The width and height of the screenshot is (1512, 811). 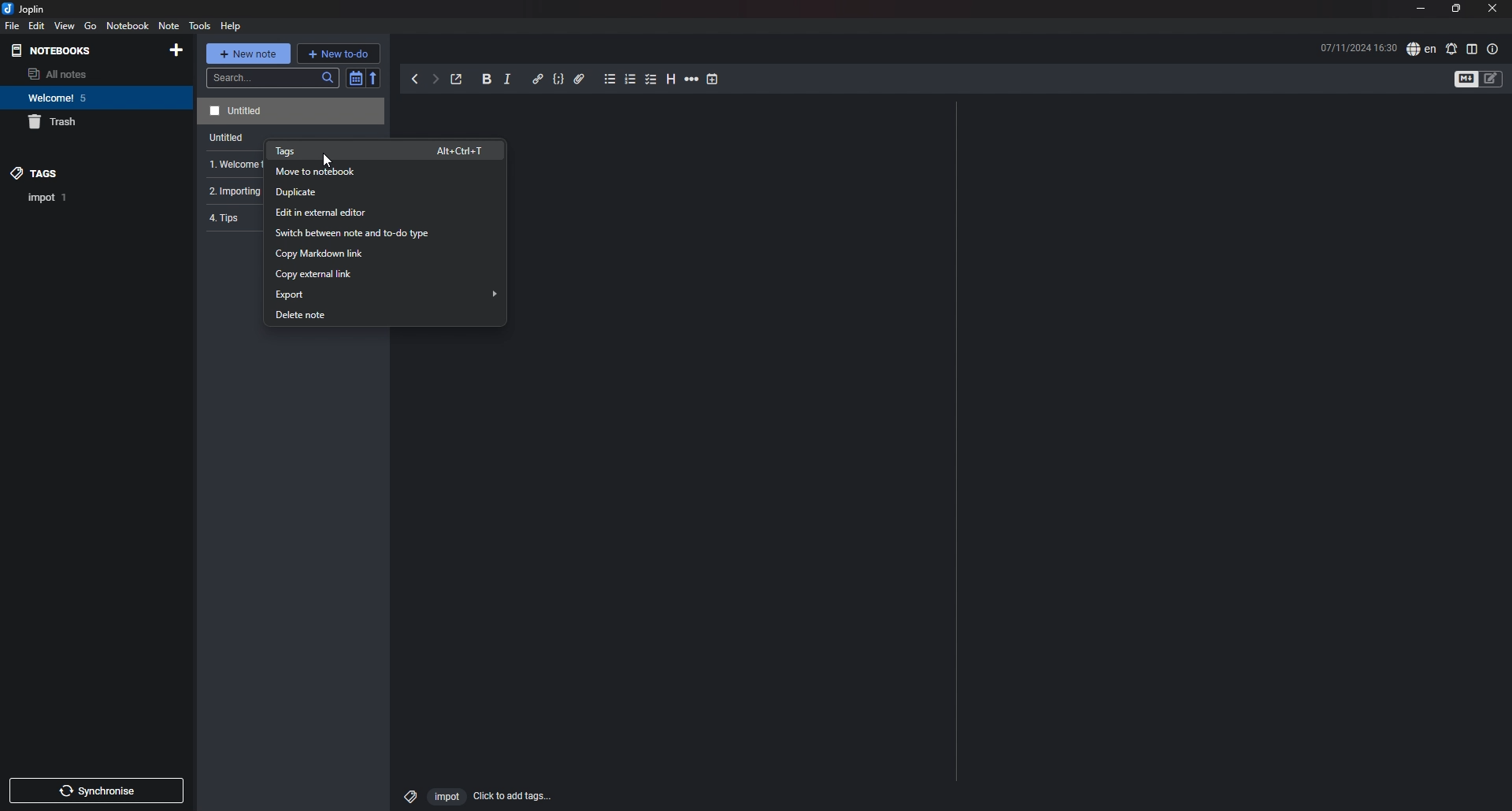 What do you see at coordinates (231, 192) in the screenshot?
I see `2. Importing` at bounding box center [231, 192].